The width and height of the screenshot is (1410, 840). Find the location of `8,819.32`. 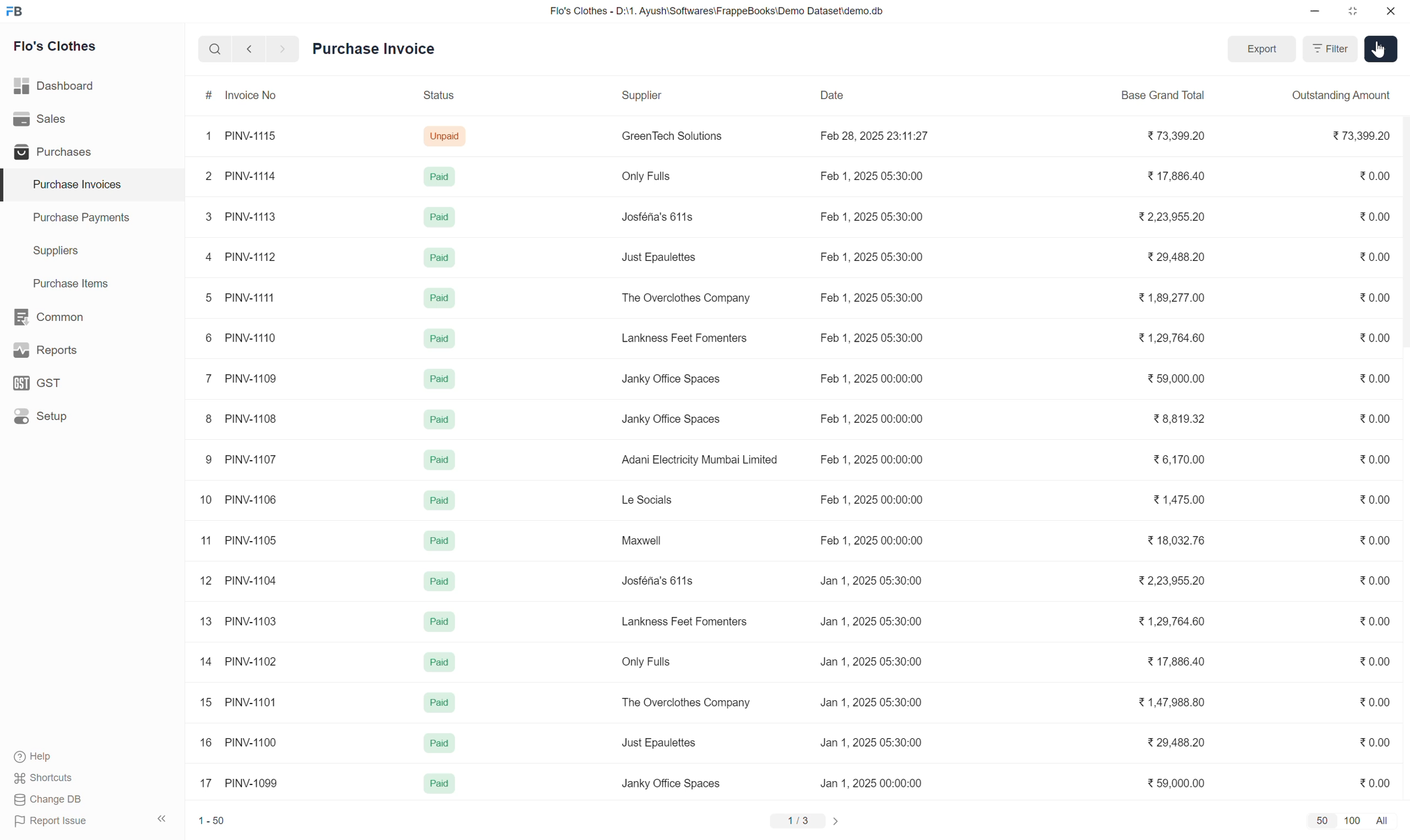

8,819.32 is located at coordinates (1181, 422).